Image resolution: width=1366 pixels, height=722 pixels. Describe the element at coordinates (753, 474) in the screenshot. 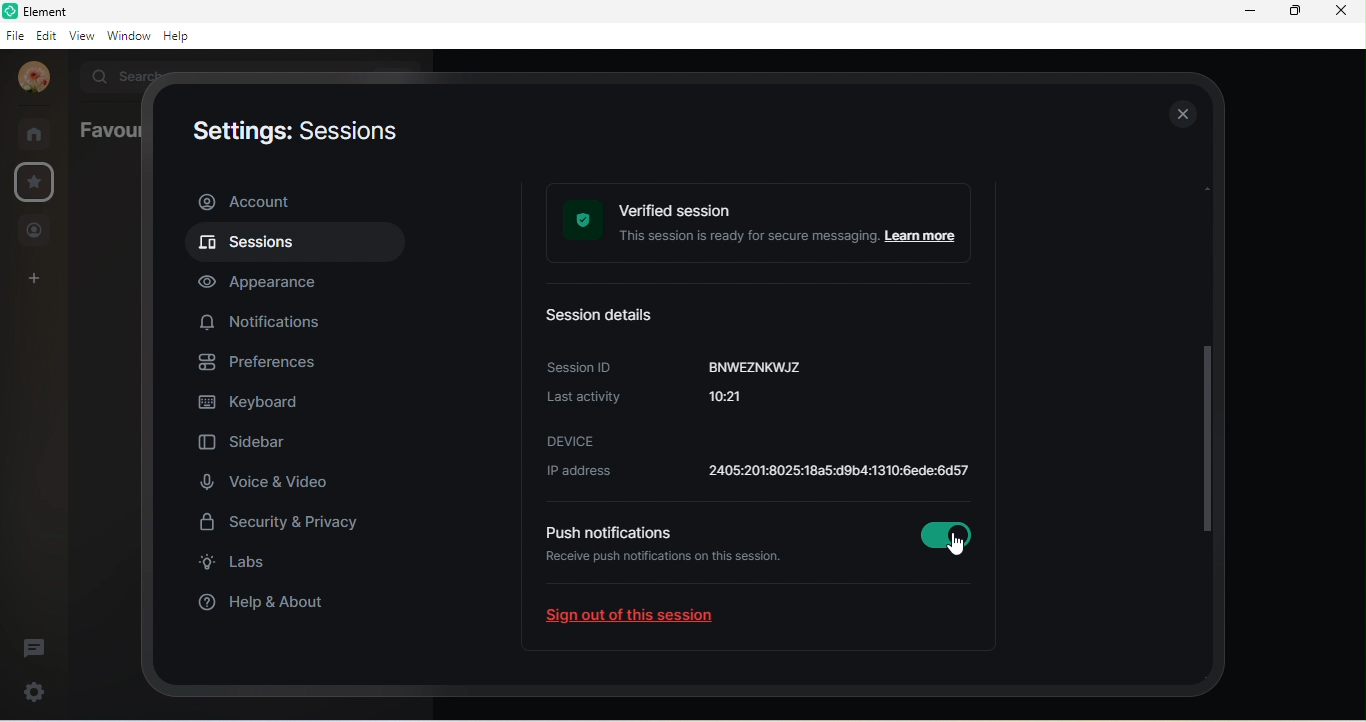

I see `ip address: 2401:4900:1c00:52d:1d42:d268:5a55:11bb` at that location.